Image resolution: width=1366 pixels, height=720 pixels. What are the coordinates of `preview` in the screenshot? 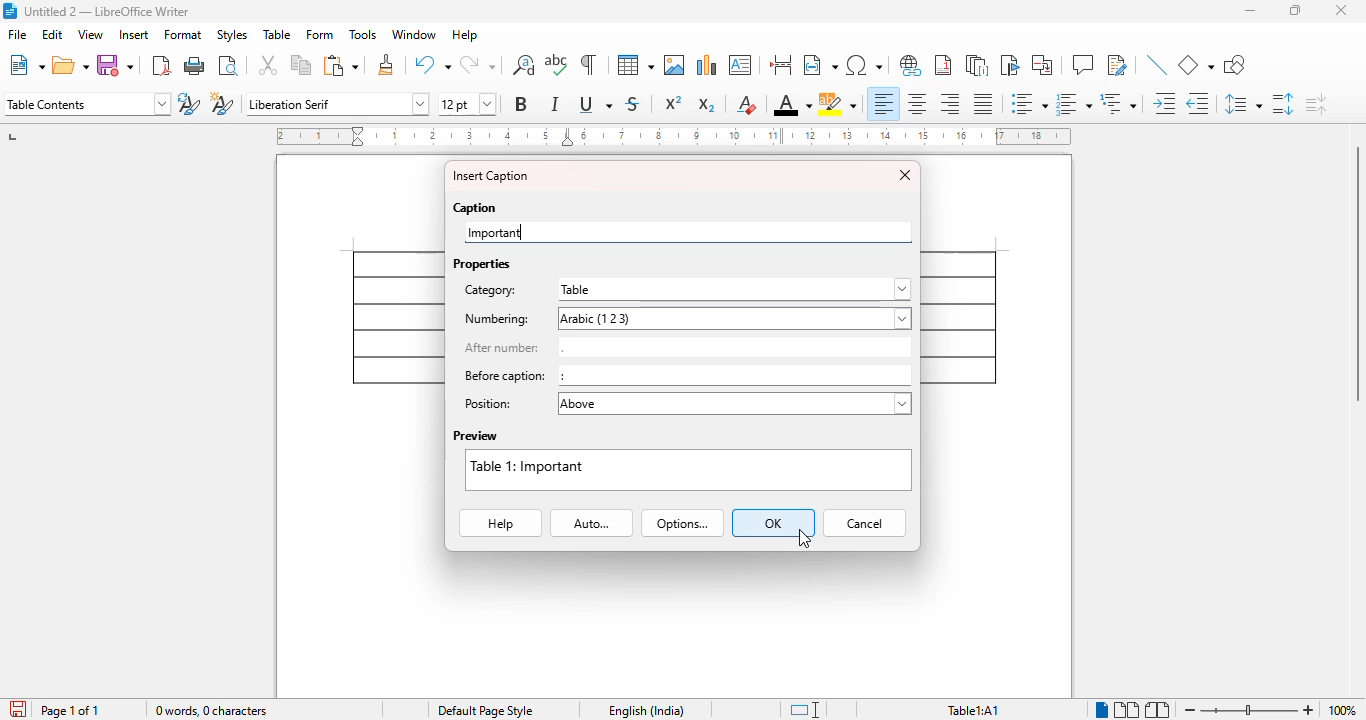 It's located at (476, 436).